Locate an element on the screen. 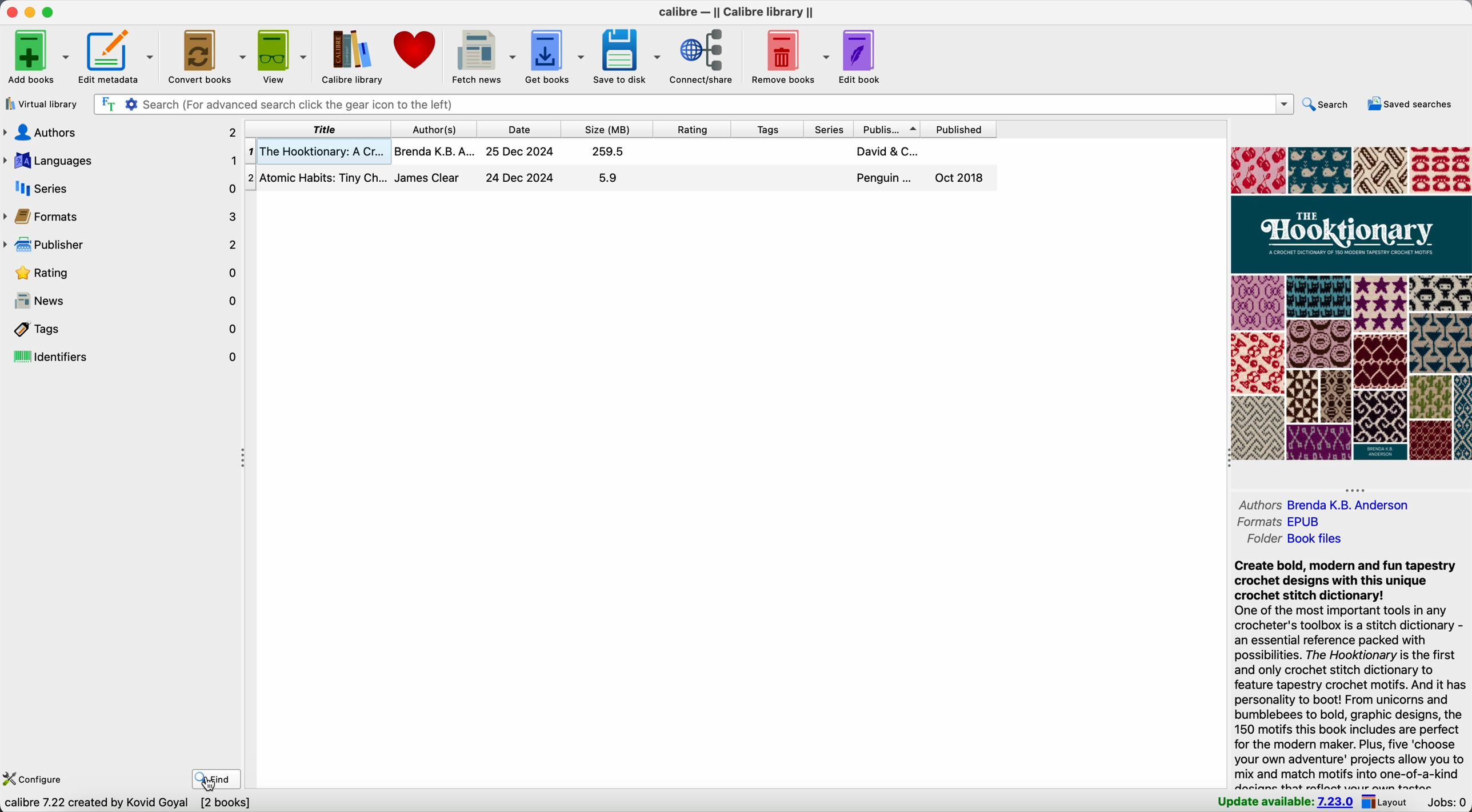  authors is located at coordinates (122, 131).